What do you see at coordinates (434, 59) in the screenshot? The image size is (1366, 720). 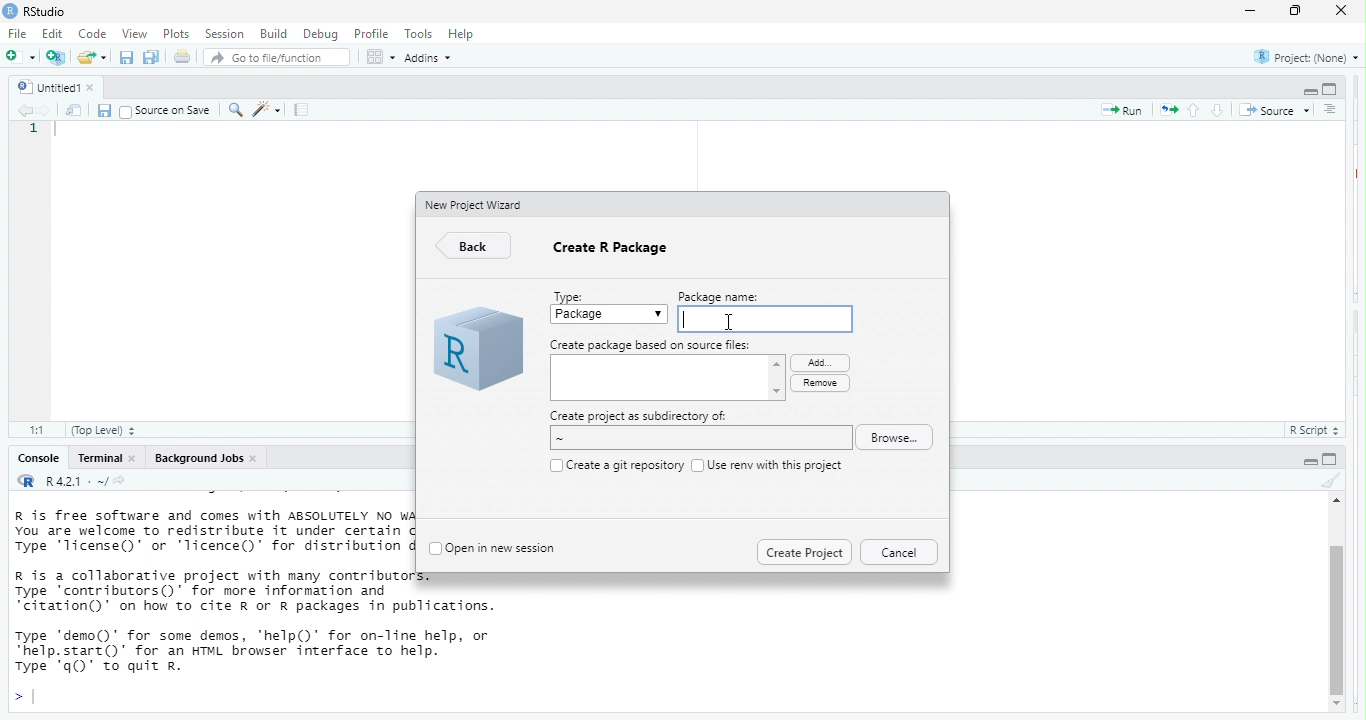 I see `Addins ` at bounding box center [434, 59].